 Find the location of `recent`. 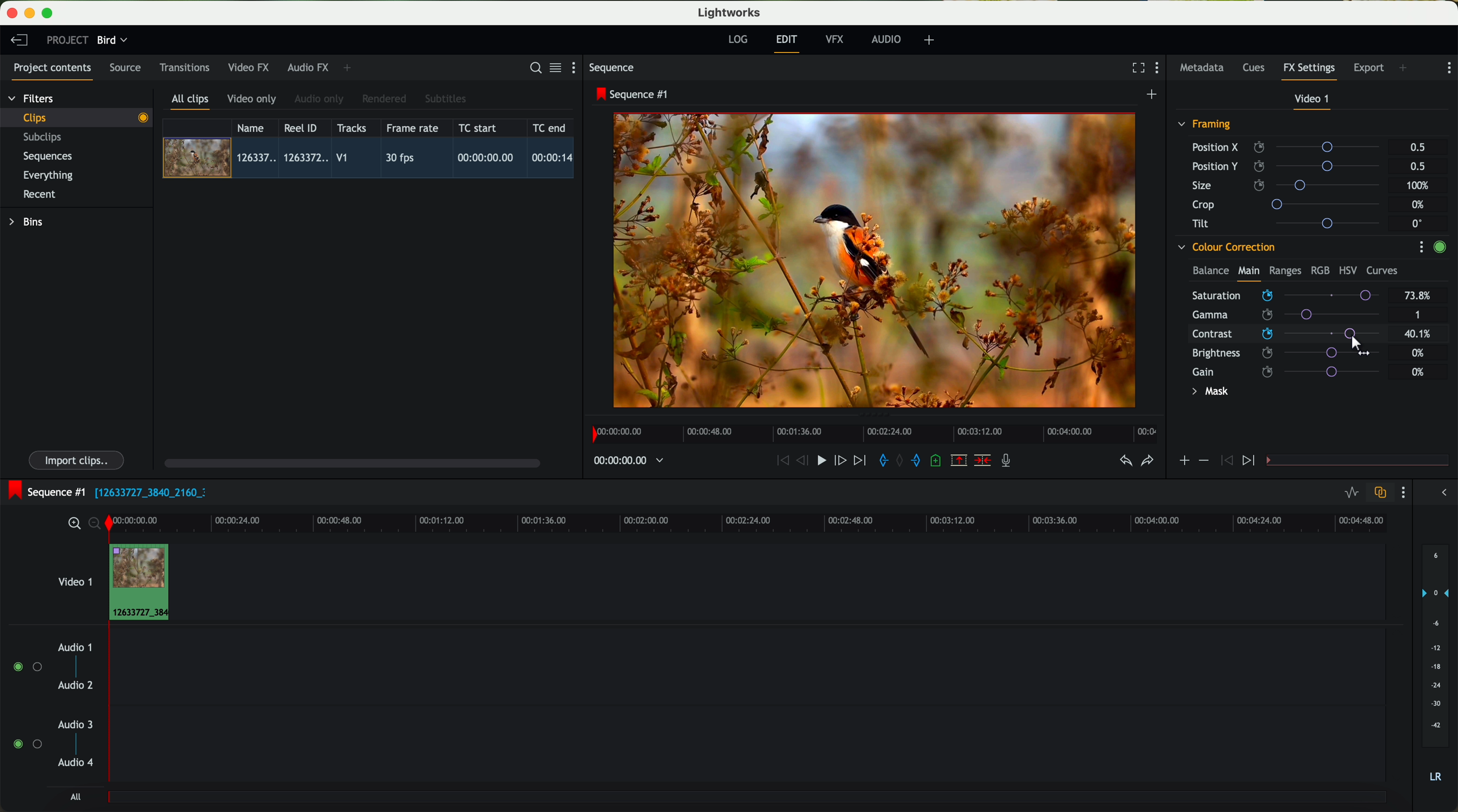

recent is located at coordinates (40, 196).